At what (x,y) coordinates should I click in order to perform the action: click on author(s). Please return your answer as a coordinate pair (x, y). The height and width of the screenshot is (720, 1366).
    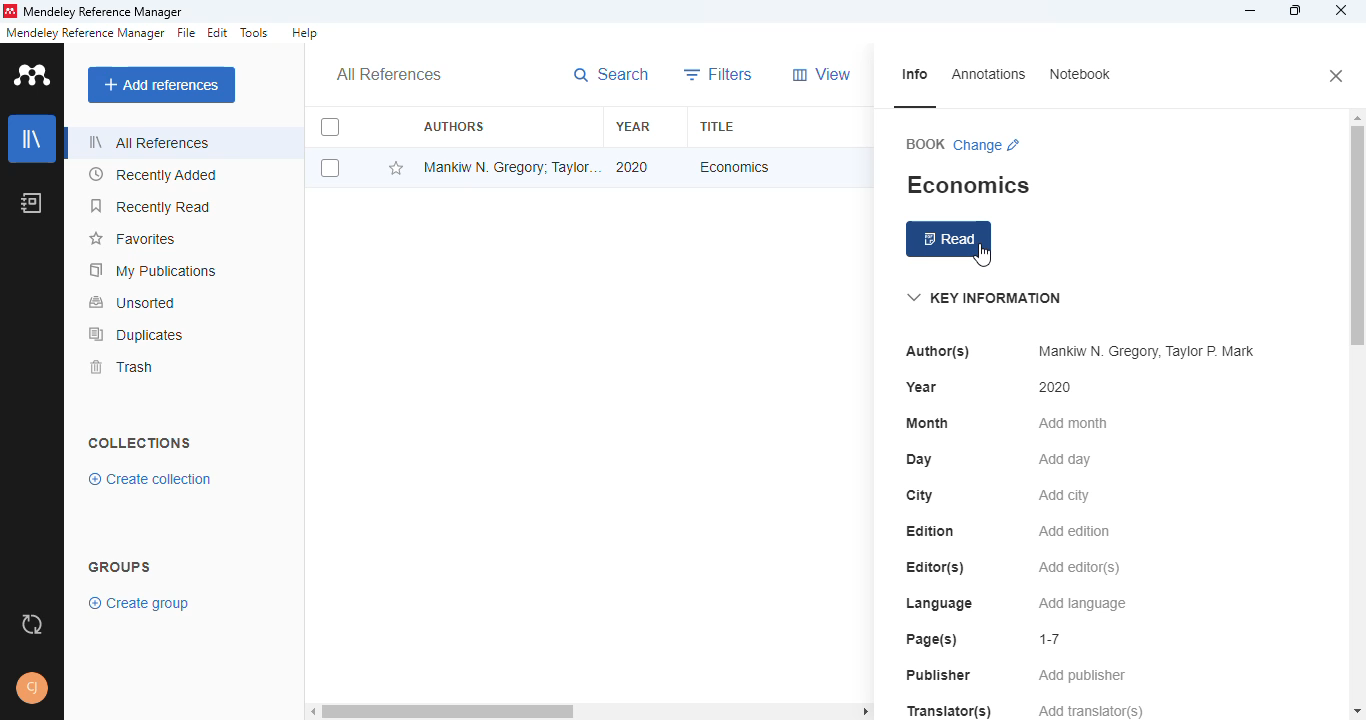
    Looking at the image, I should click on (937, 351).